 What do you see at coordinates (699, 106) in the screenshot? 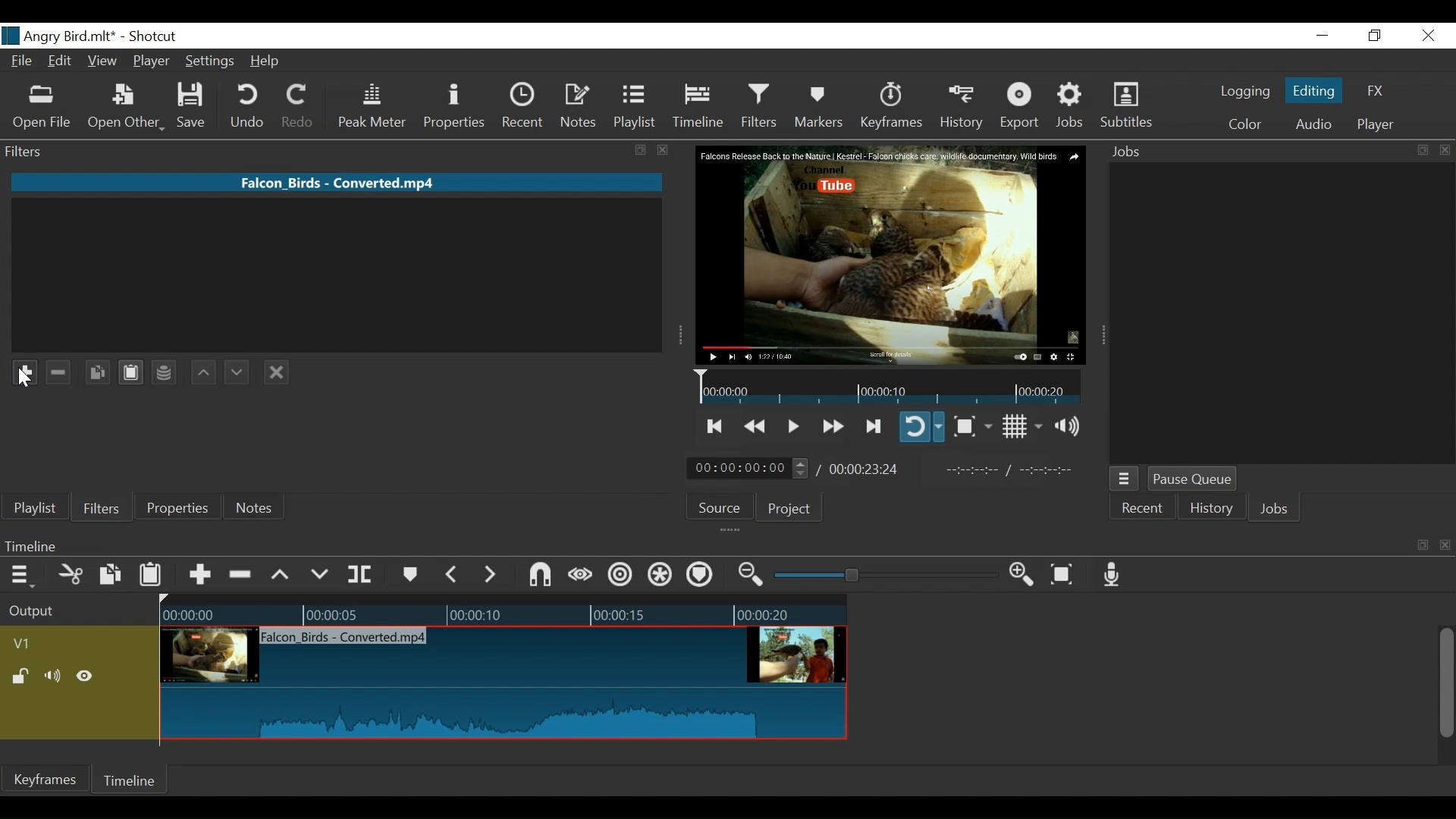
I see `Timeline` at bounding box center [699, 106].